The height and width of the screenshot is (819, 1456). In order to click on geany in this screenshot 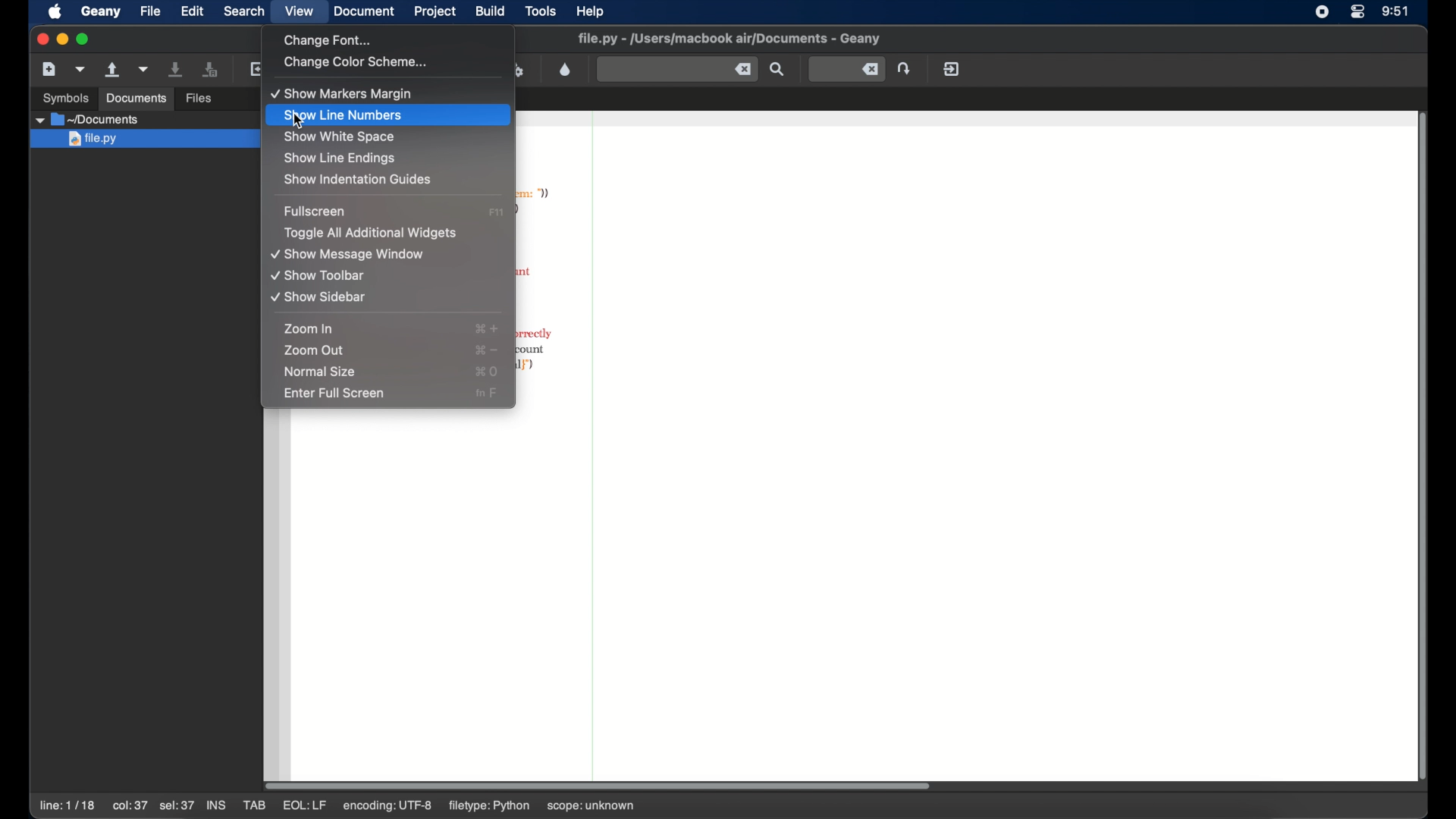, I will do `click(100, 12)`.